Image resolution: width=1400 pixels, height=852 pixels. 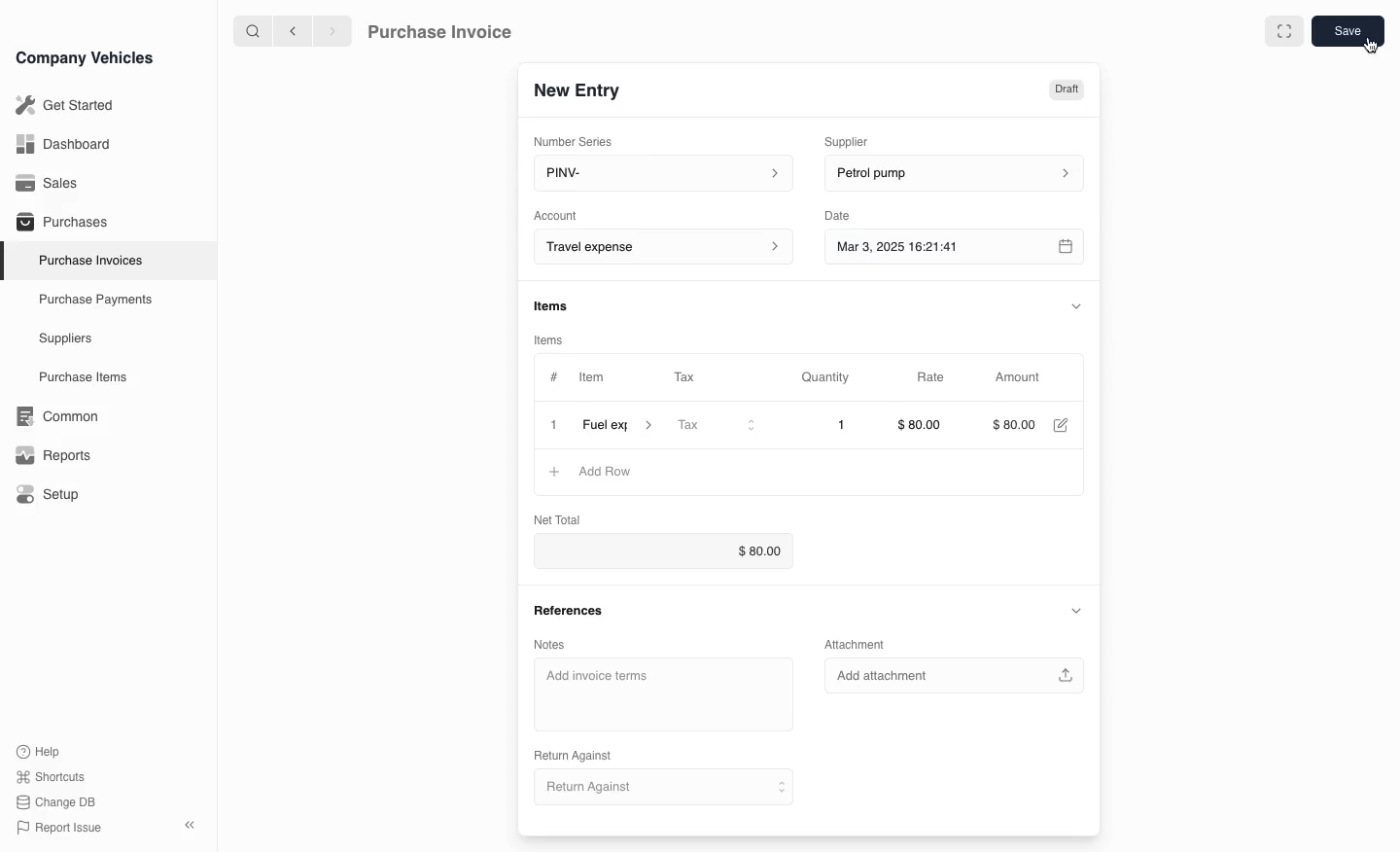 I want to click on $80.00, so click(x=925, y=425).